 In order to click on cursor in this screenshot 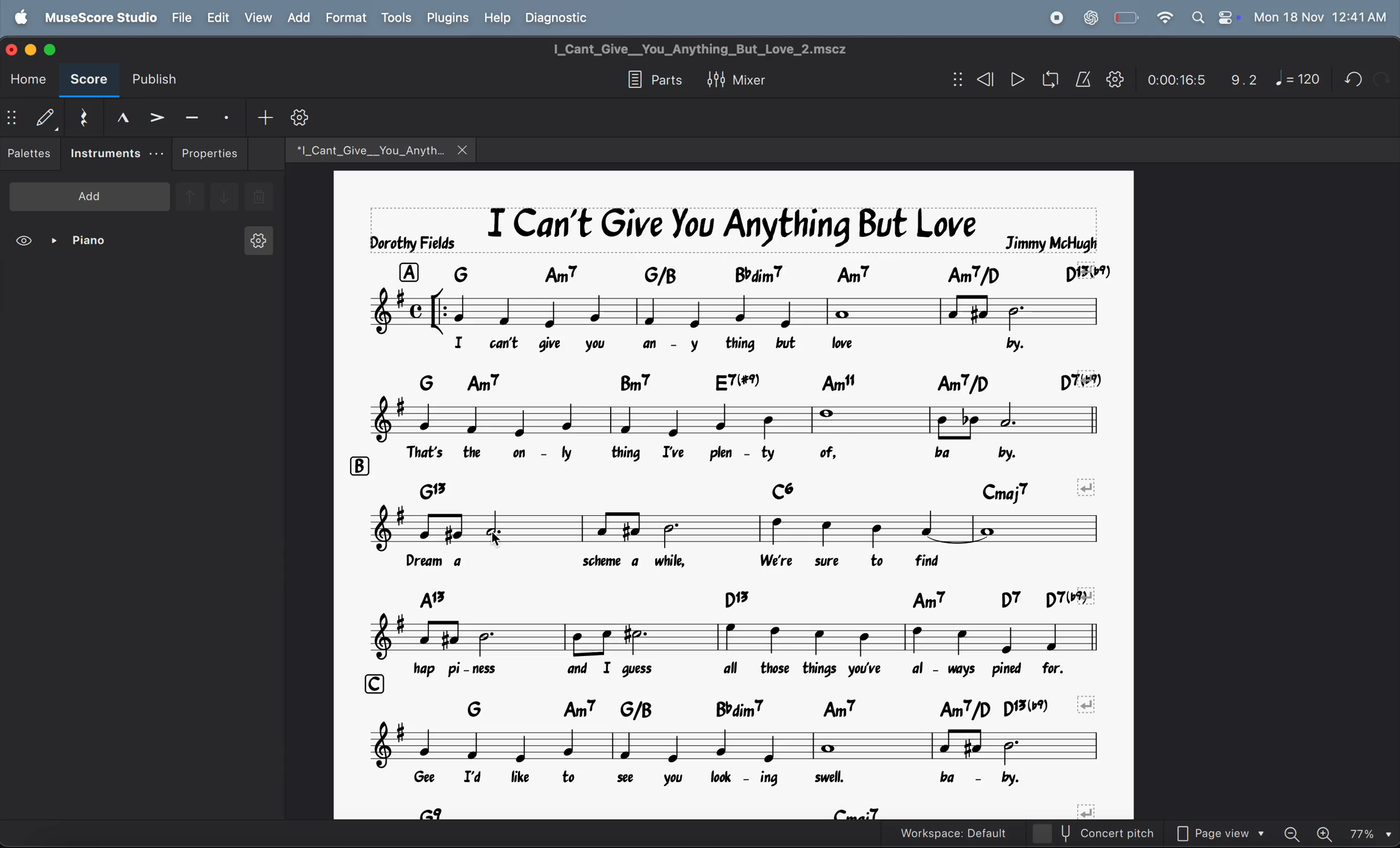, I will do `click(505, 546)`.